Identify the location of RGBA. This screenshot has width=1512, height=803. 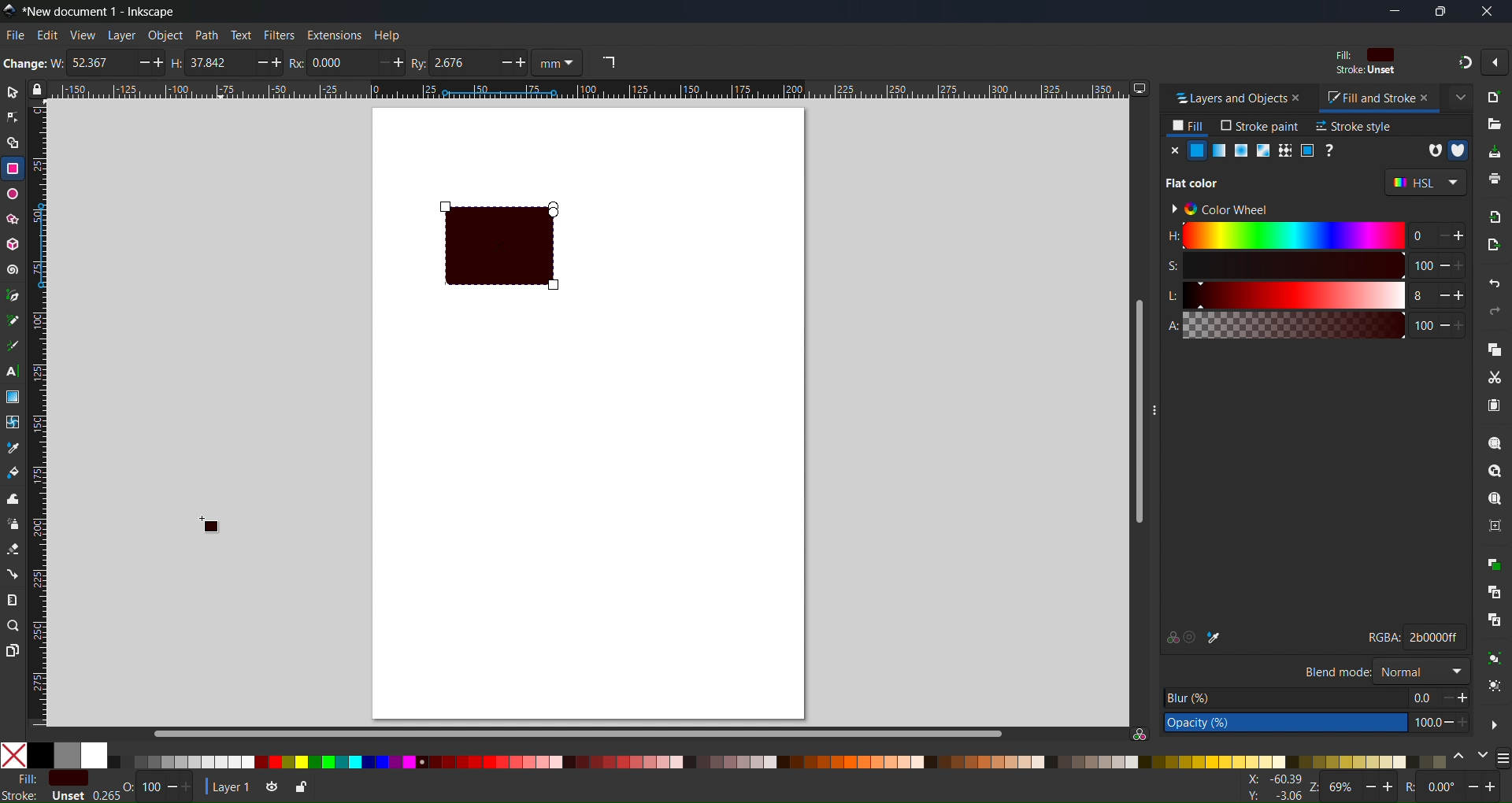
(1436, 638).